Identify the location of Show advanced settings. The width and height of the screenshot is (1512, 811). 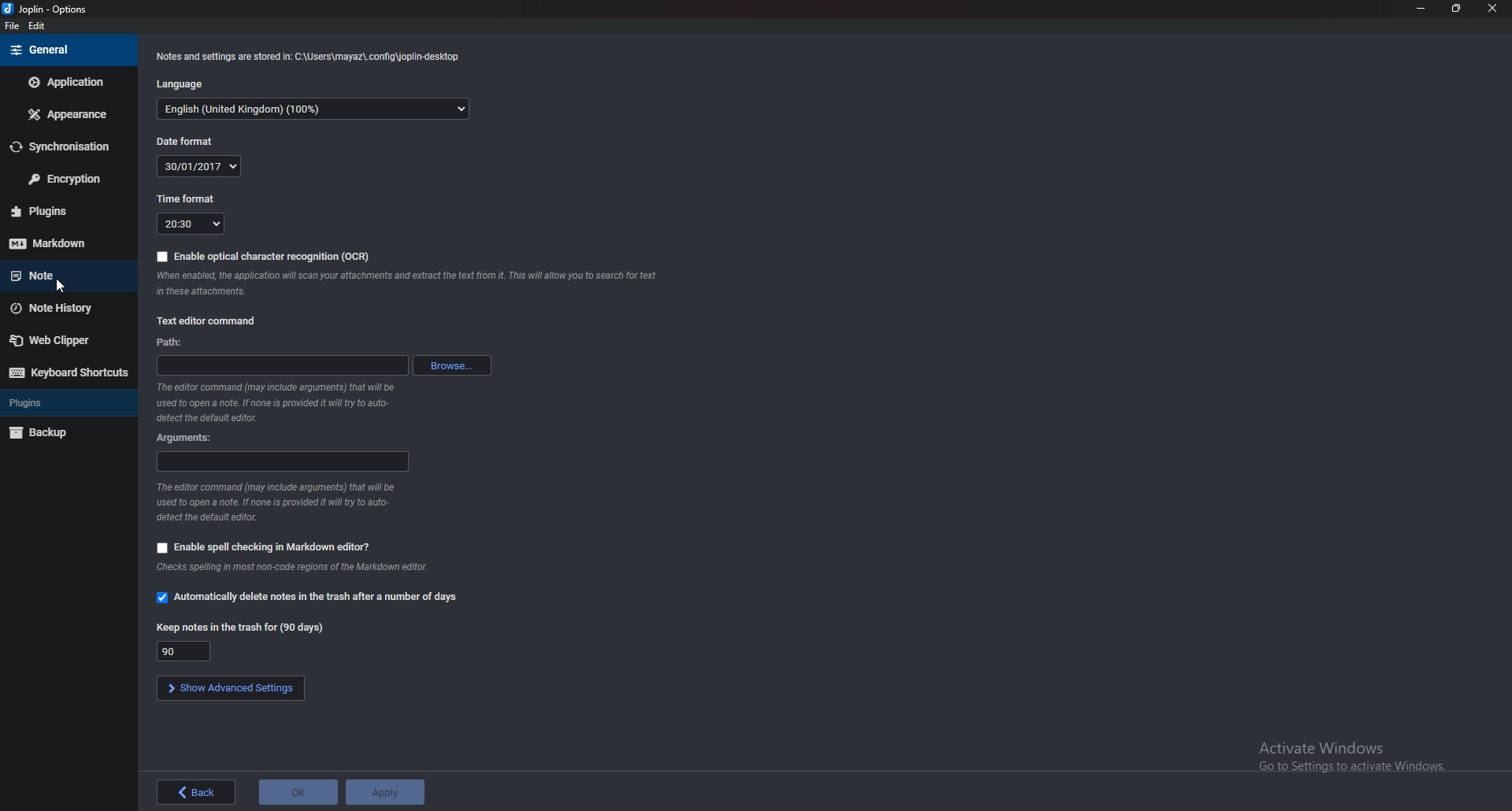
(228, 690).